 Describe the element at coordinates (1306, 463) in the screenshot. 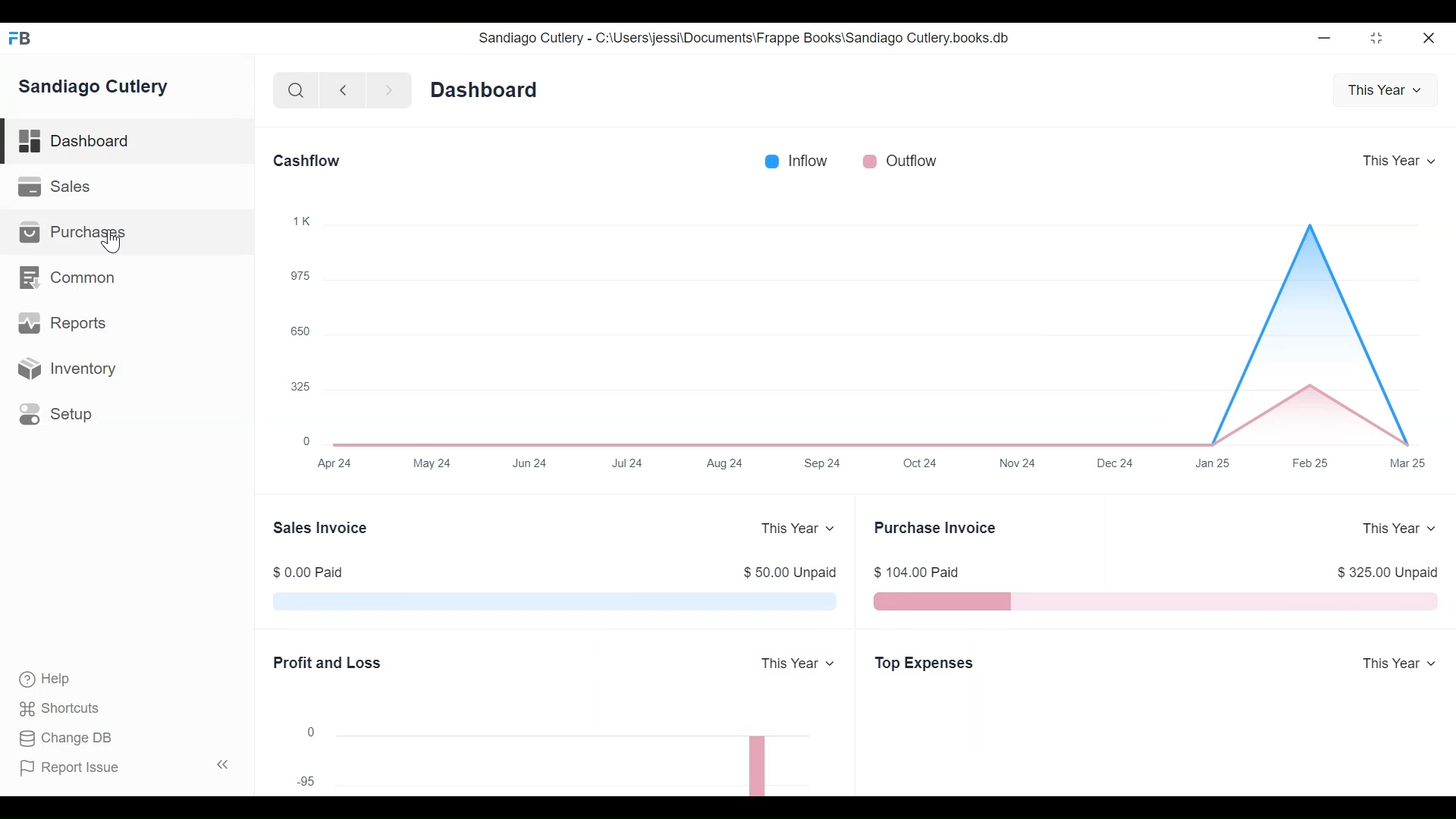

I see `Feb25` at that location.